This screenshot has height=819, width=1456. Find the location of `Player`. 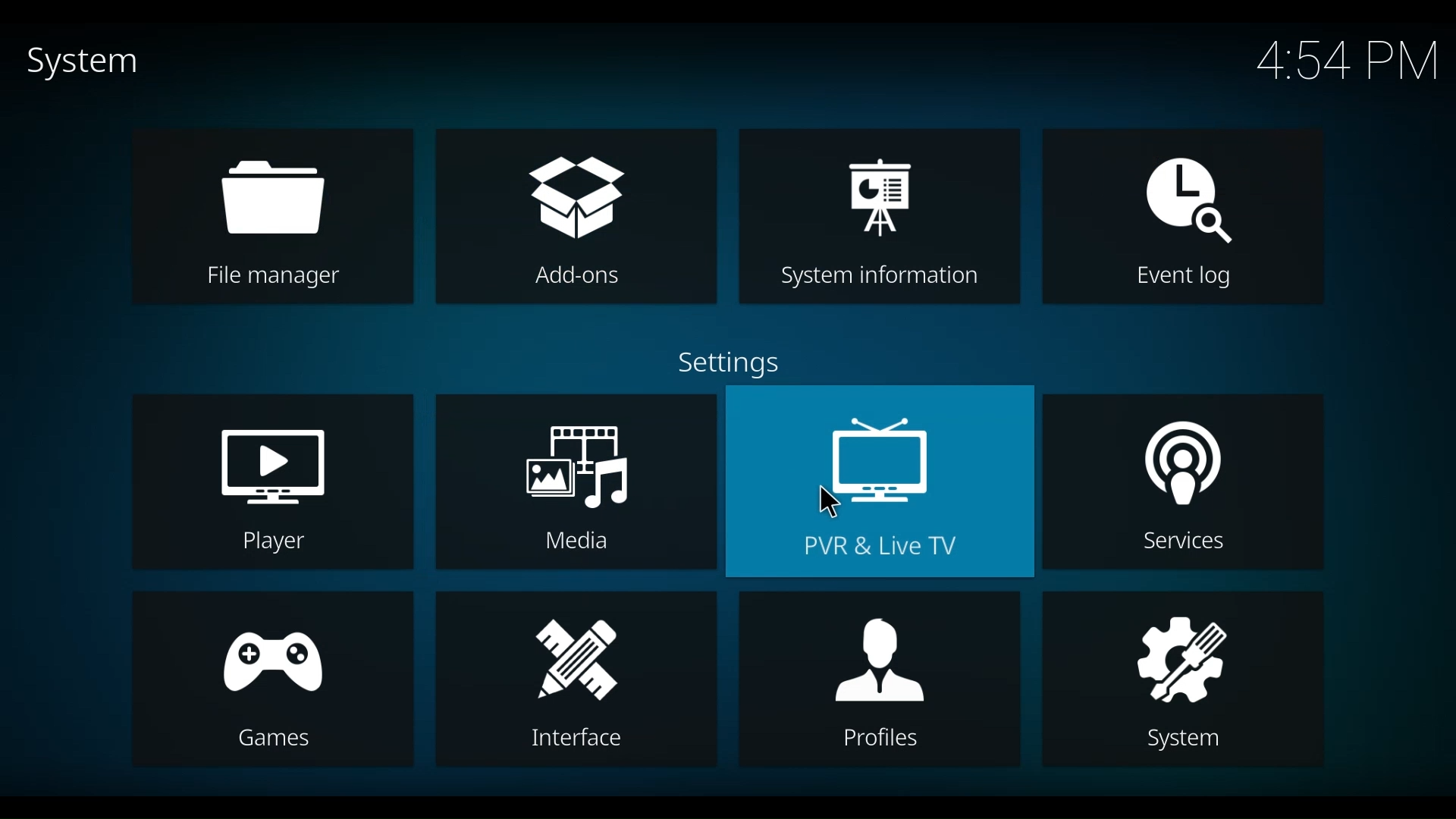

Player is located at coordinates (271, 481).